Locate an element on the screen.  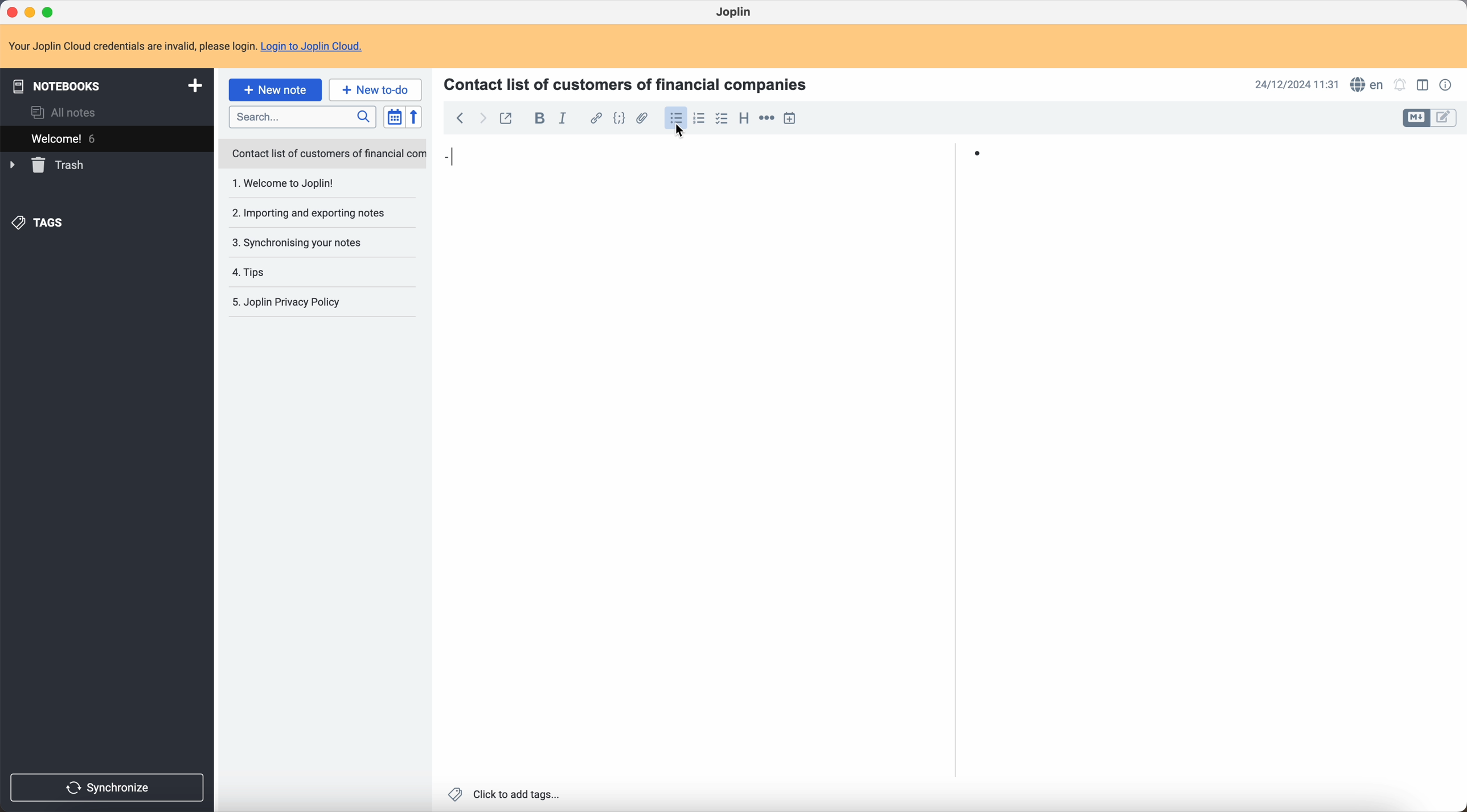
note properties is located at coordinates (1448, 85).